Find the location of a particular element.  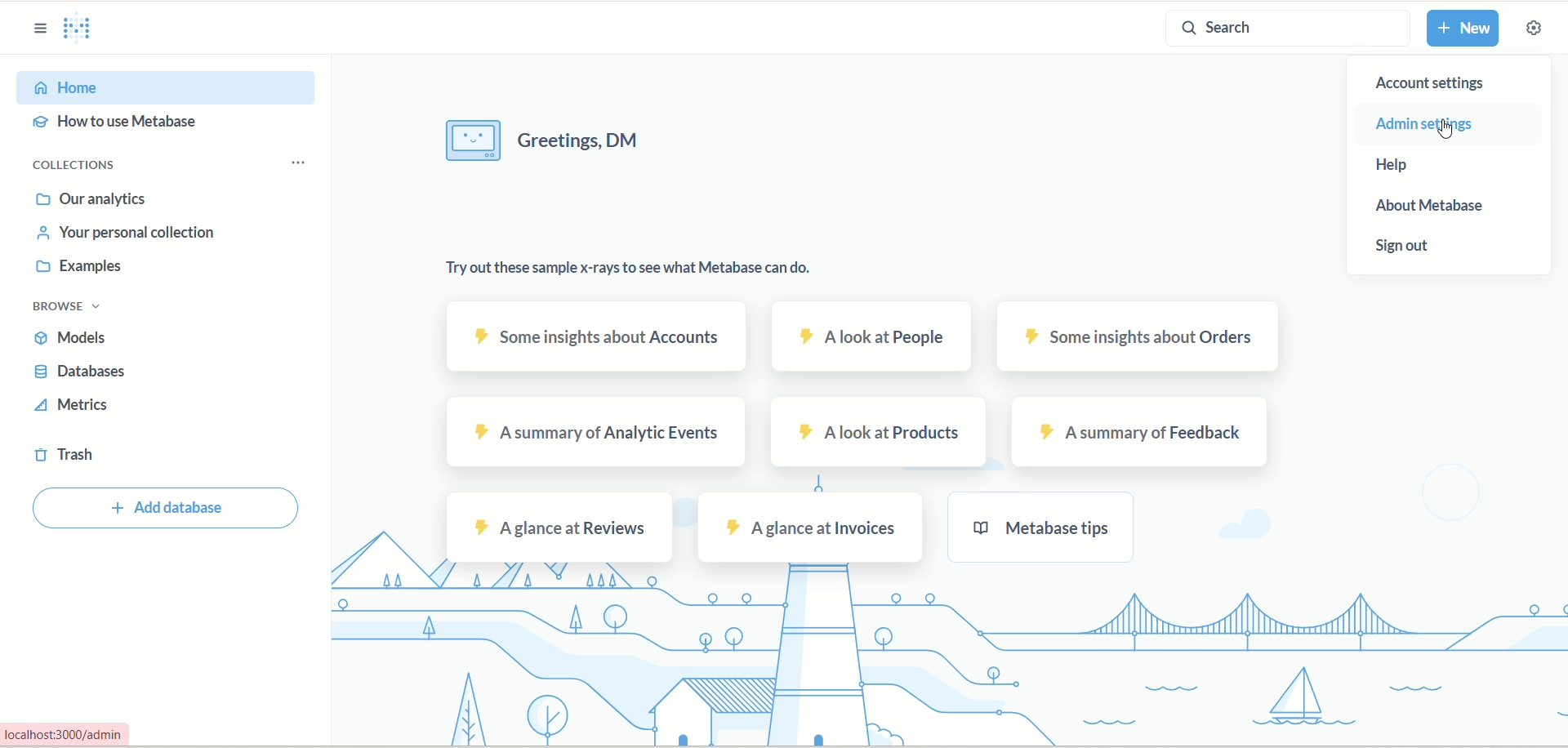

add database is located at coordinates (171, 507).